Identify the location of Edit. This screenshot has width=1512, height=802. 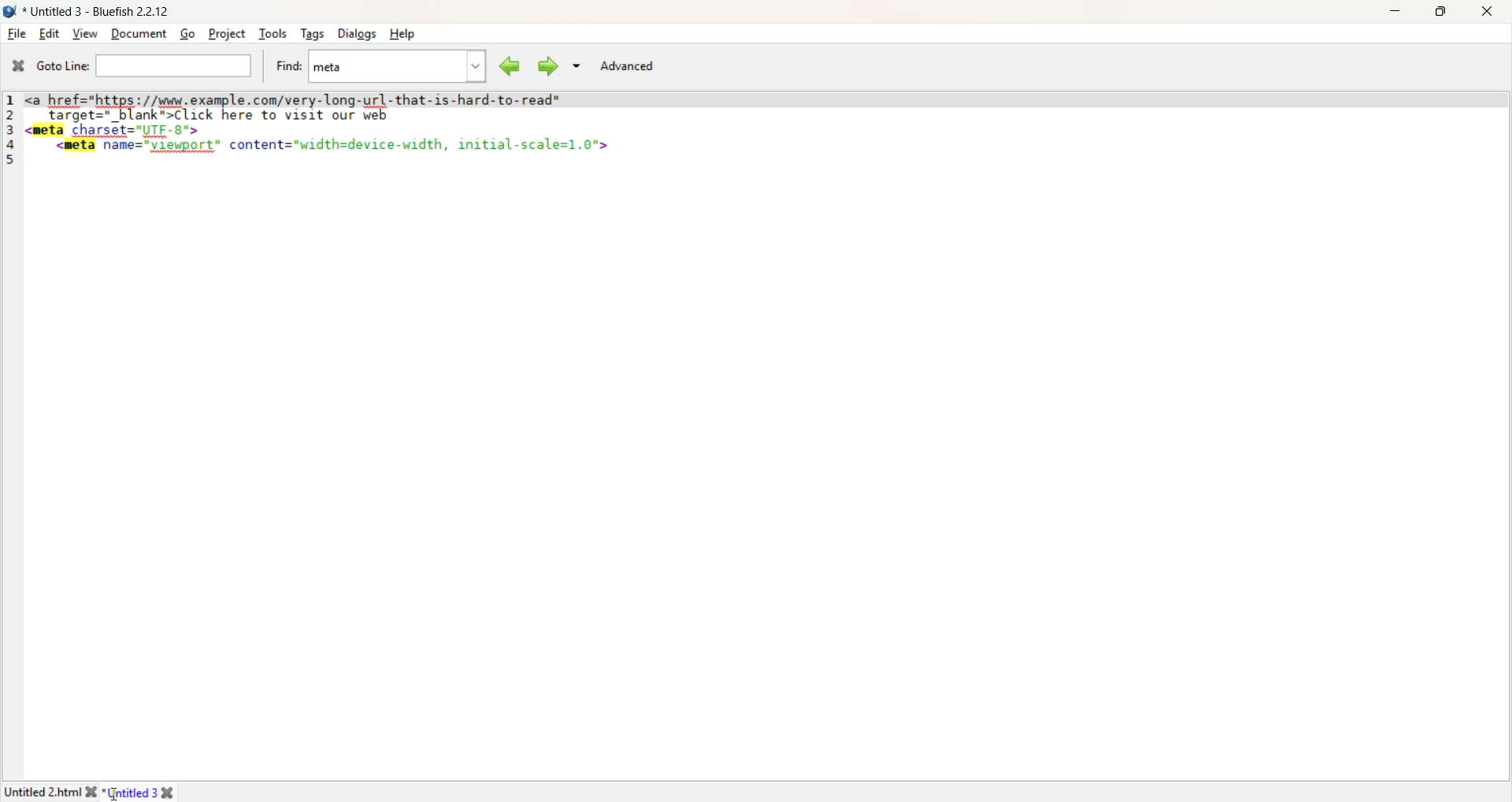
(46, 34).